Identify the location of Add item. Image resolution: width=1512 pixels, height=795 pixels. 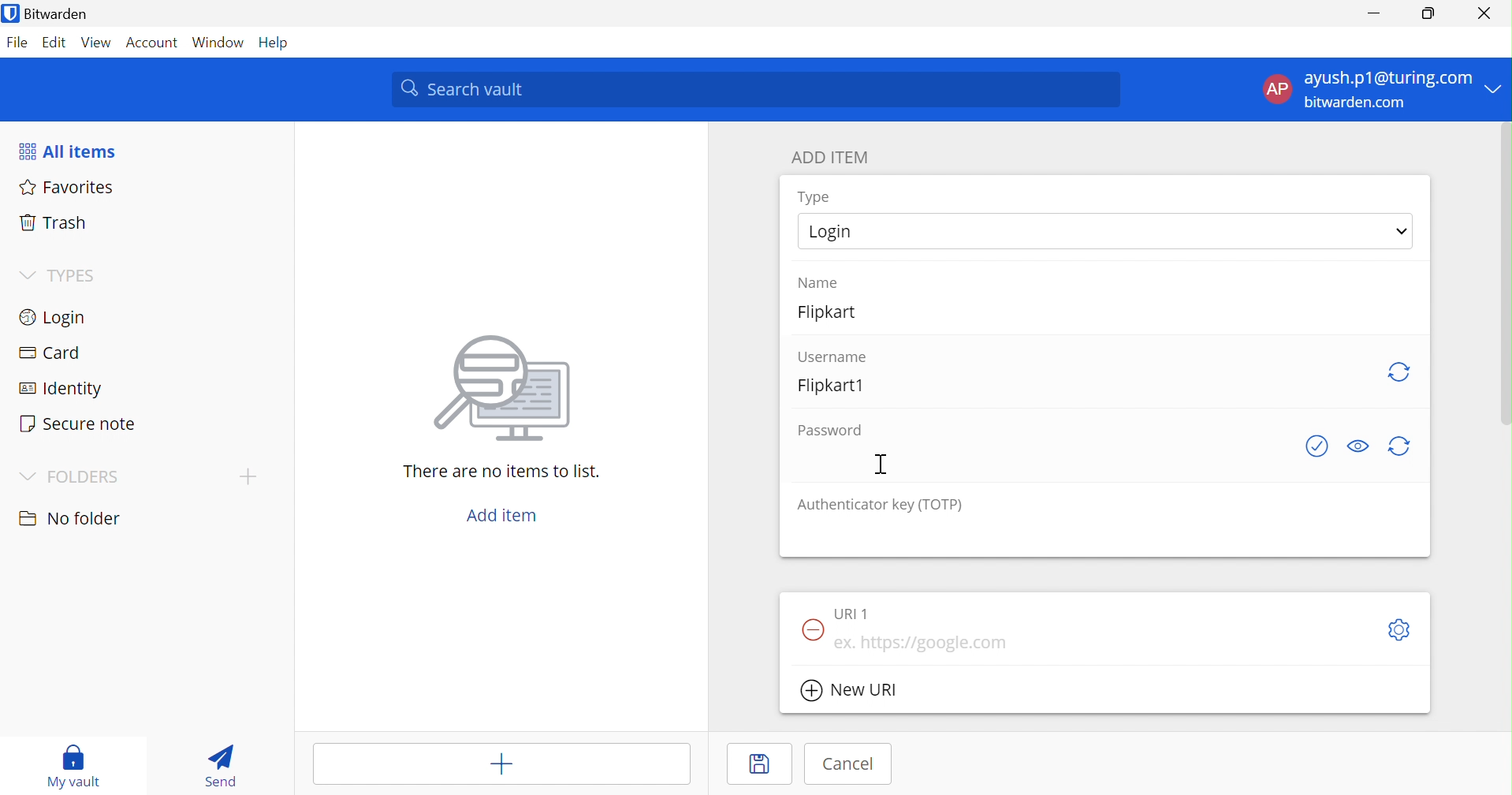
(503, 516).